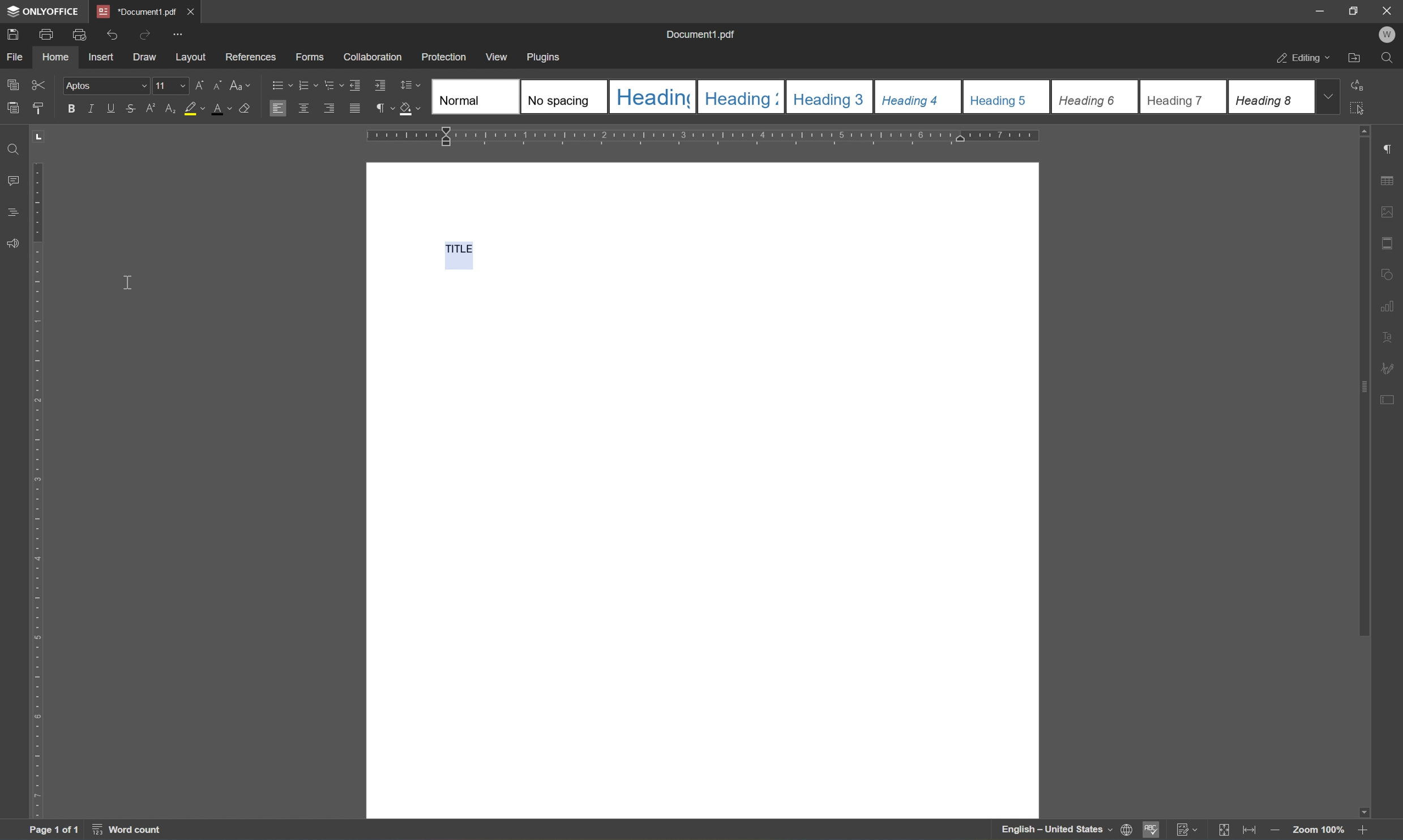  I want to click on bullets, so click(280, 84).